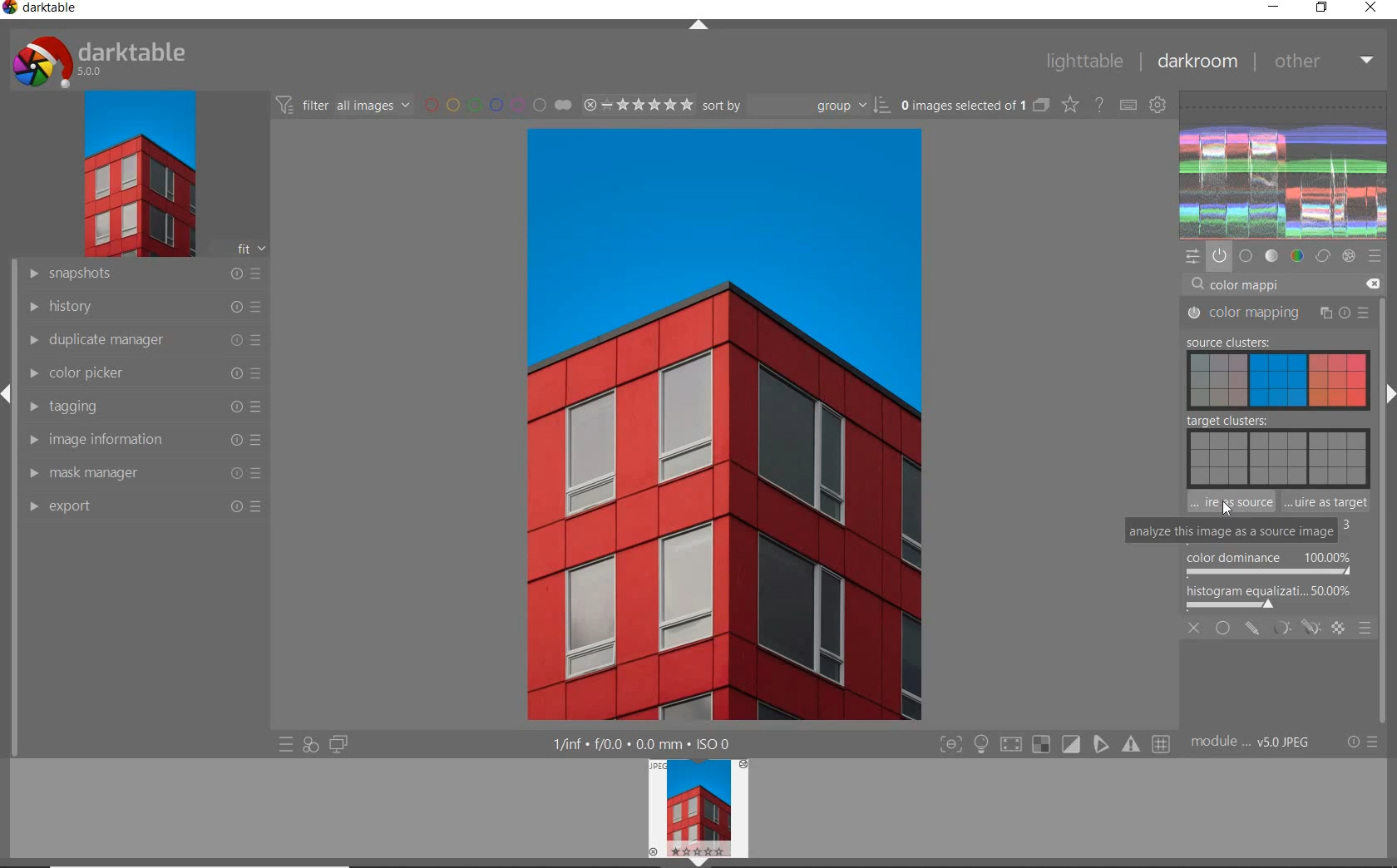  I want to click on HISTOGRAM EQUALIZER, so click(1271, 596).